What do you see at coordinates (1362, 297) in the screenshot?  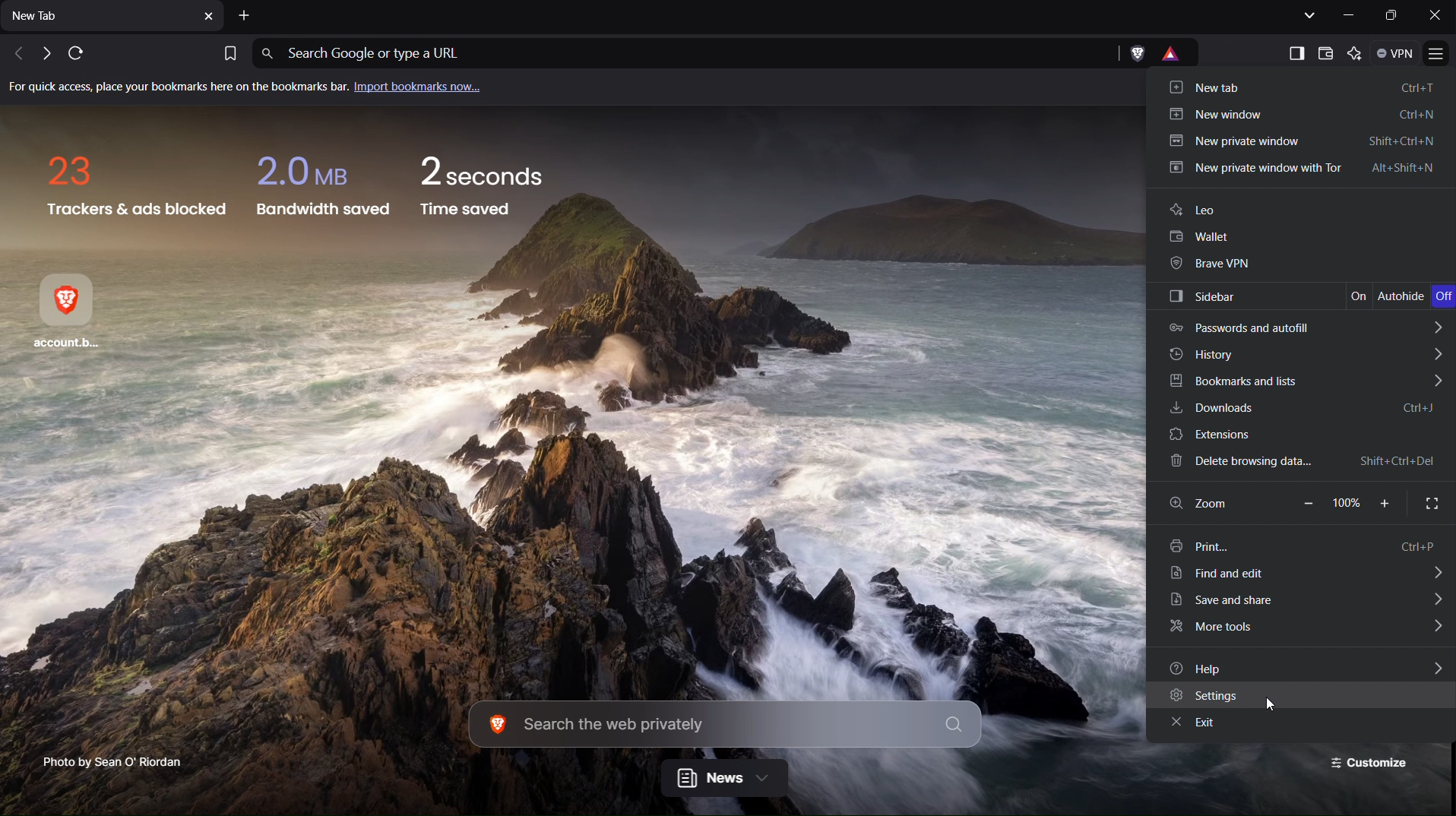 I see `On` at bounding box center [1362, 297].